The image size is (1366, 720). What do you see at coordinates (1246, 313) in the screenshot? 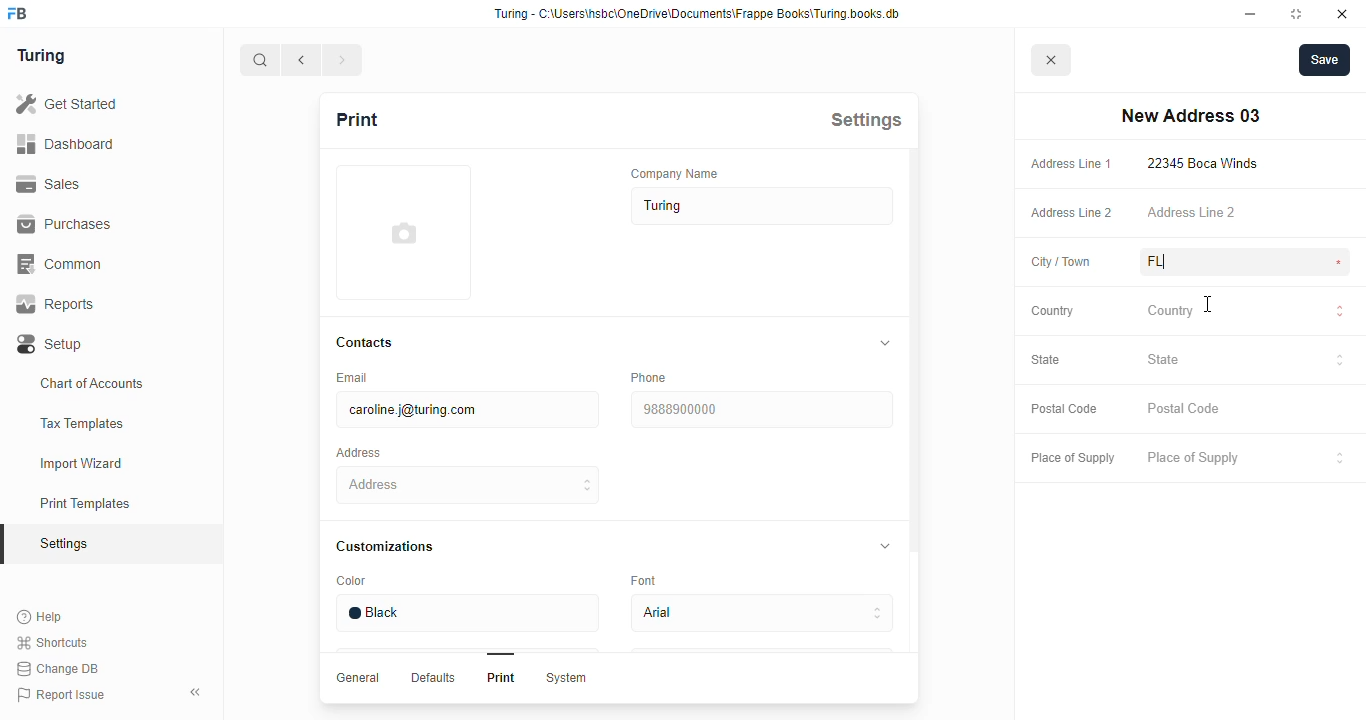
I see `country` at bounding box center [1246, 313].